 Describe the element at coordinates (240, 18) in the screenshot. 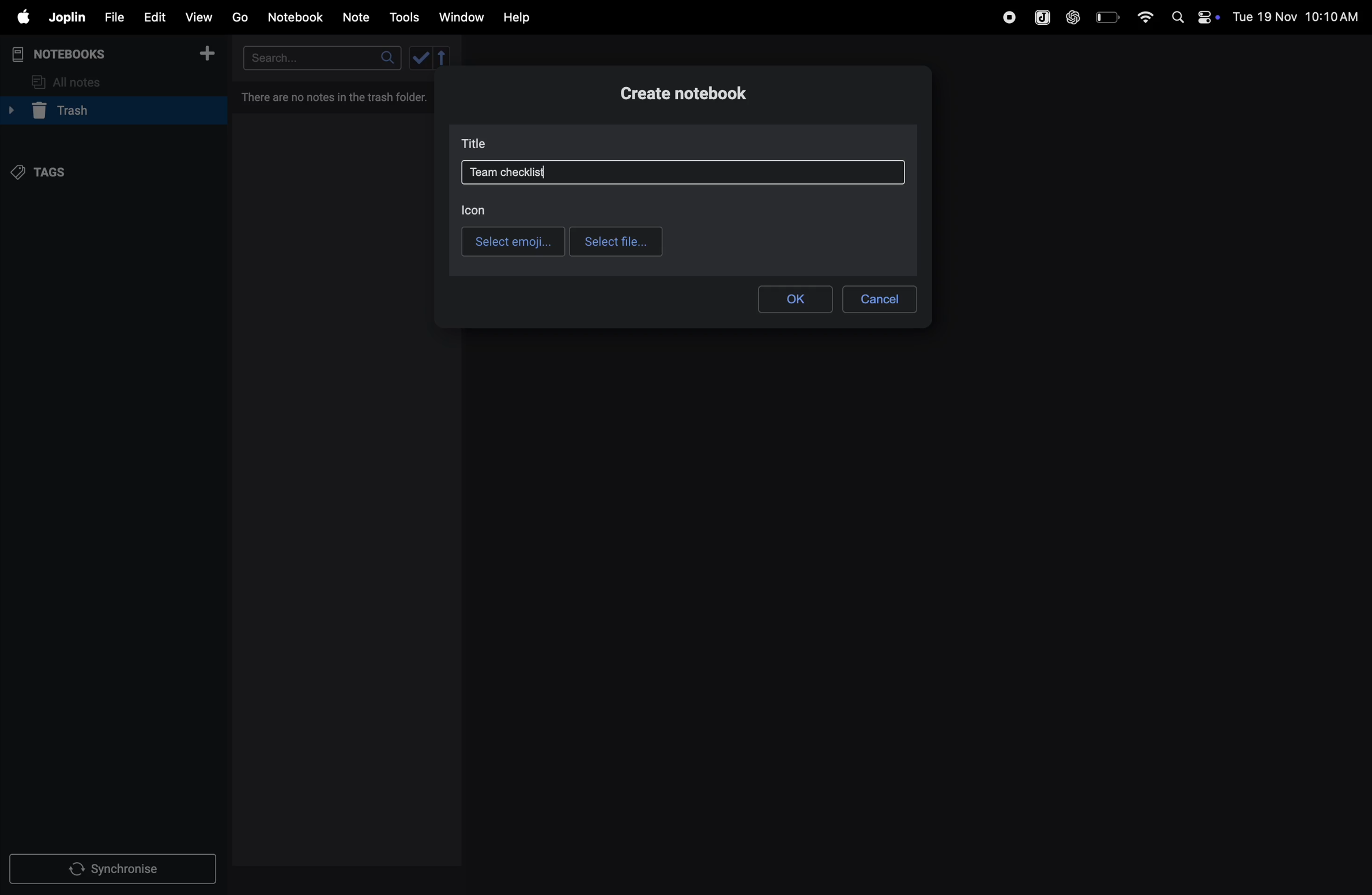

I see `go` at that location.